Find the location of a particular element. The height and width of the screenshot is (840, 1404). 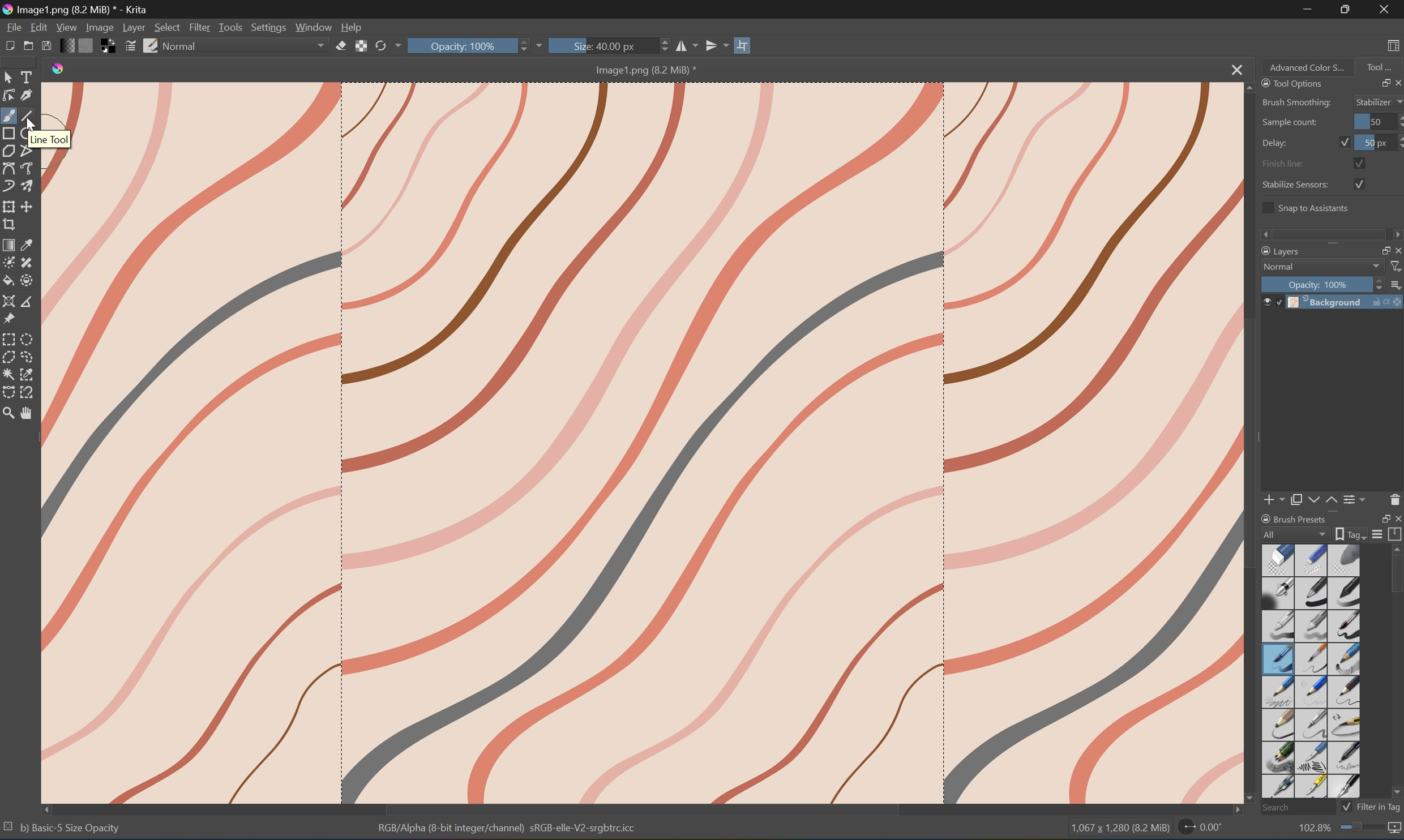

Show the tag box options is located at coordinates (1348, 534).